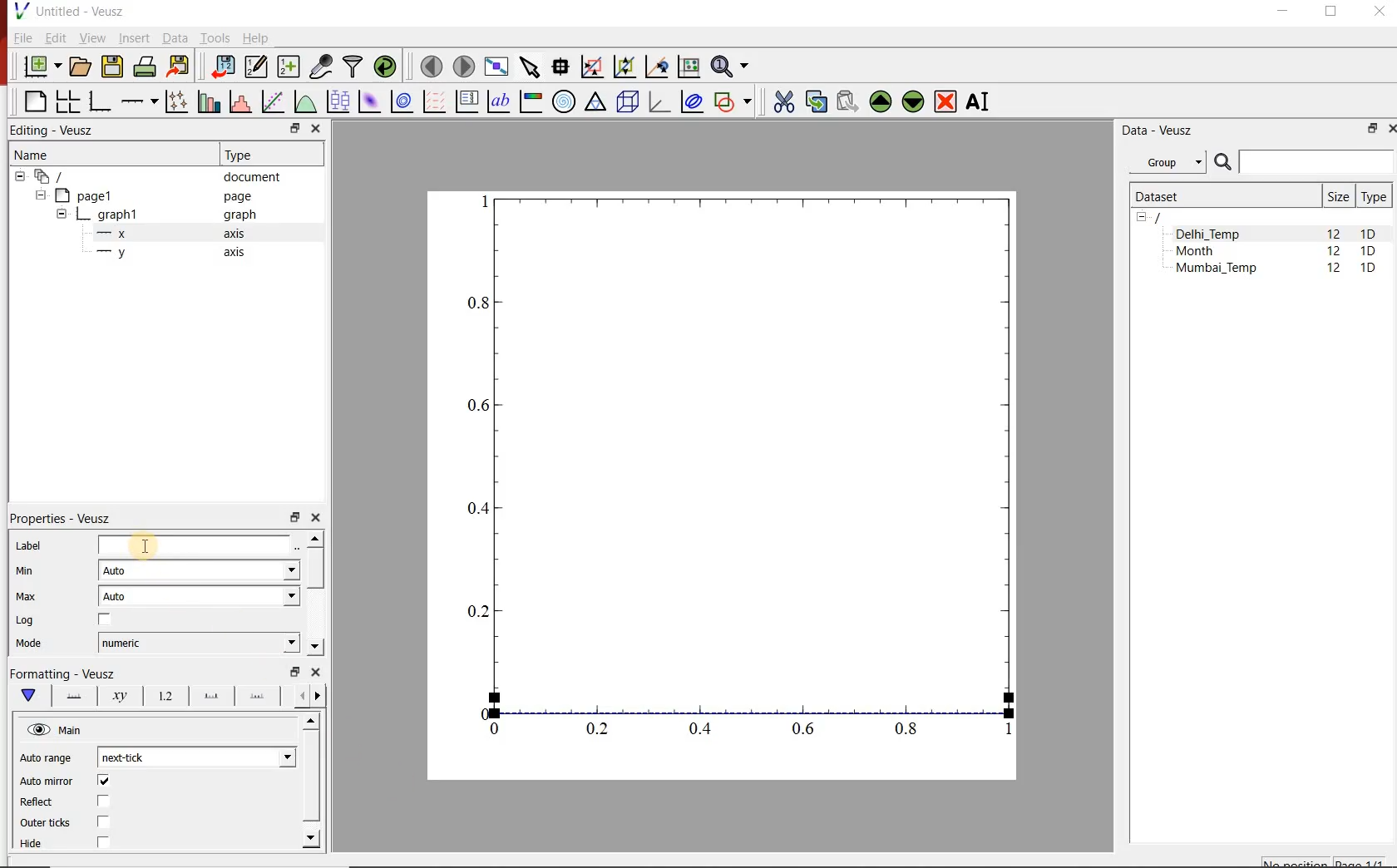 This screenshot has height=868, width=1397. What do you see at coordinates (34, 845) in the screenshot?
I see `Hide` at bounding box center [34, 845].